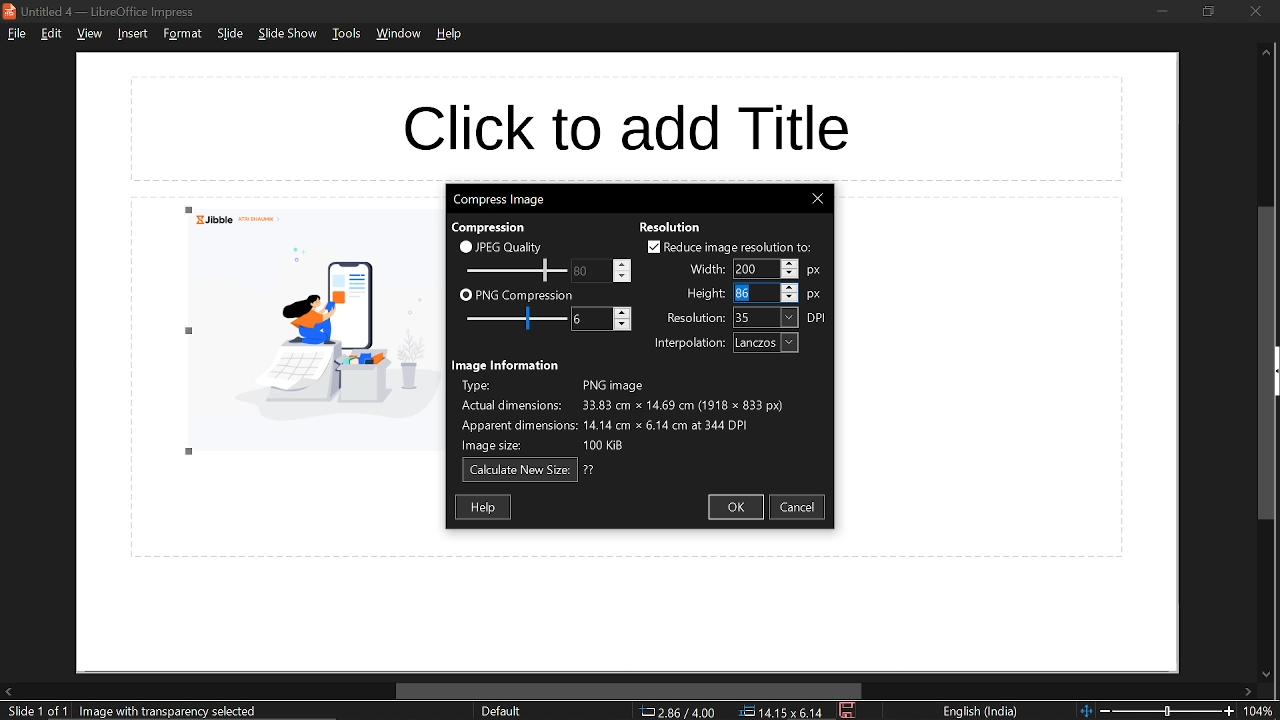 The height and width of the screenshot is (720, 1280). Describe the element at coordinates (751, 293) in the screenshot. I see `height` at that location.